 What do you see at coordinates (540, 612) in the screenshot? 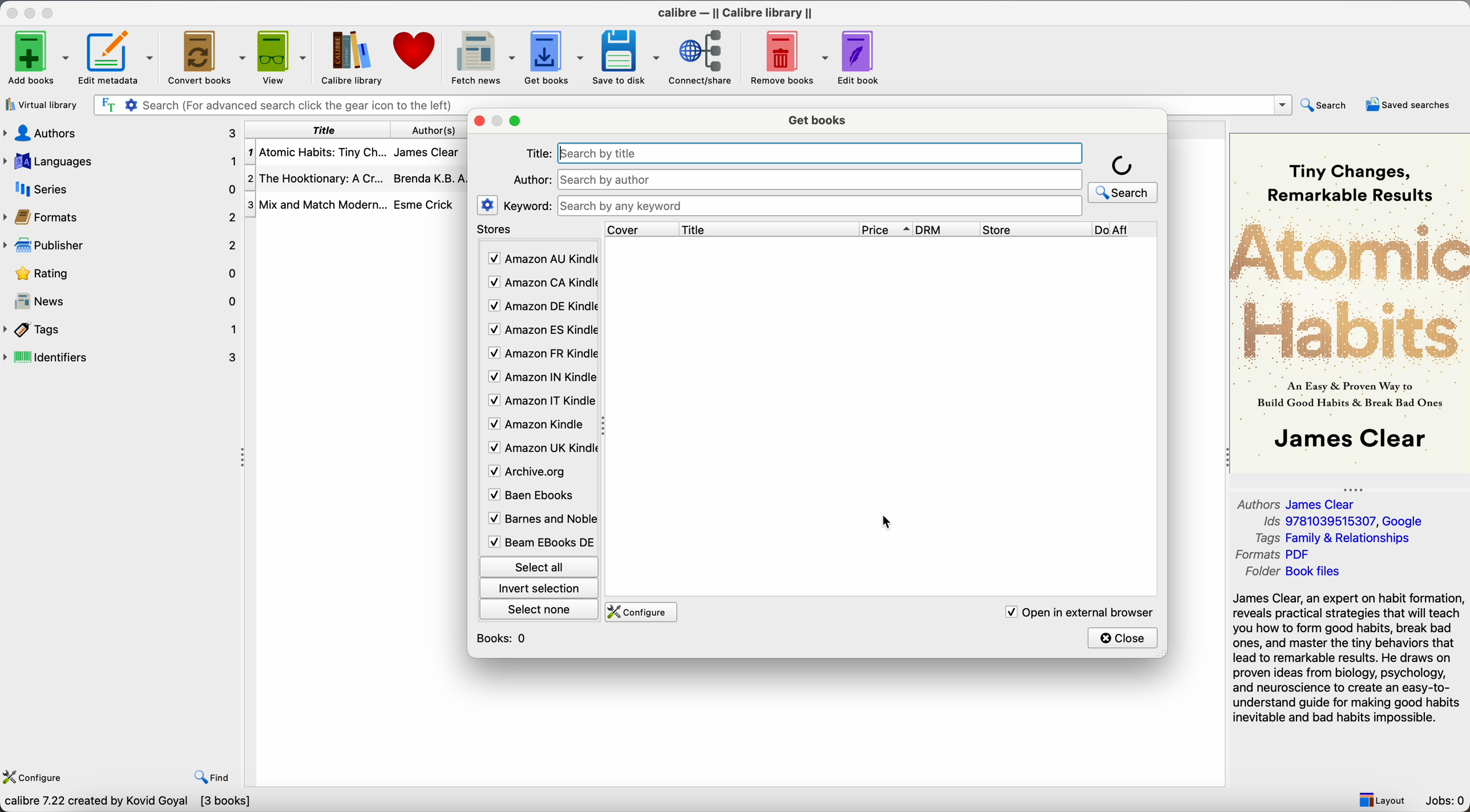
I see `select none` at bounding box center [540, 612].